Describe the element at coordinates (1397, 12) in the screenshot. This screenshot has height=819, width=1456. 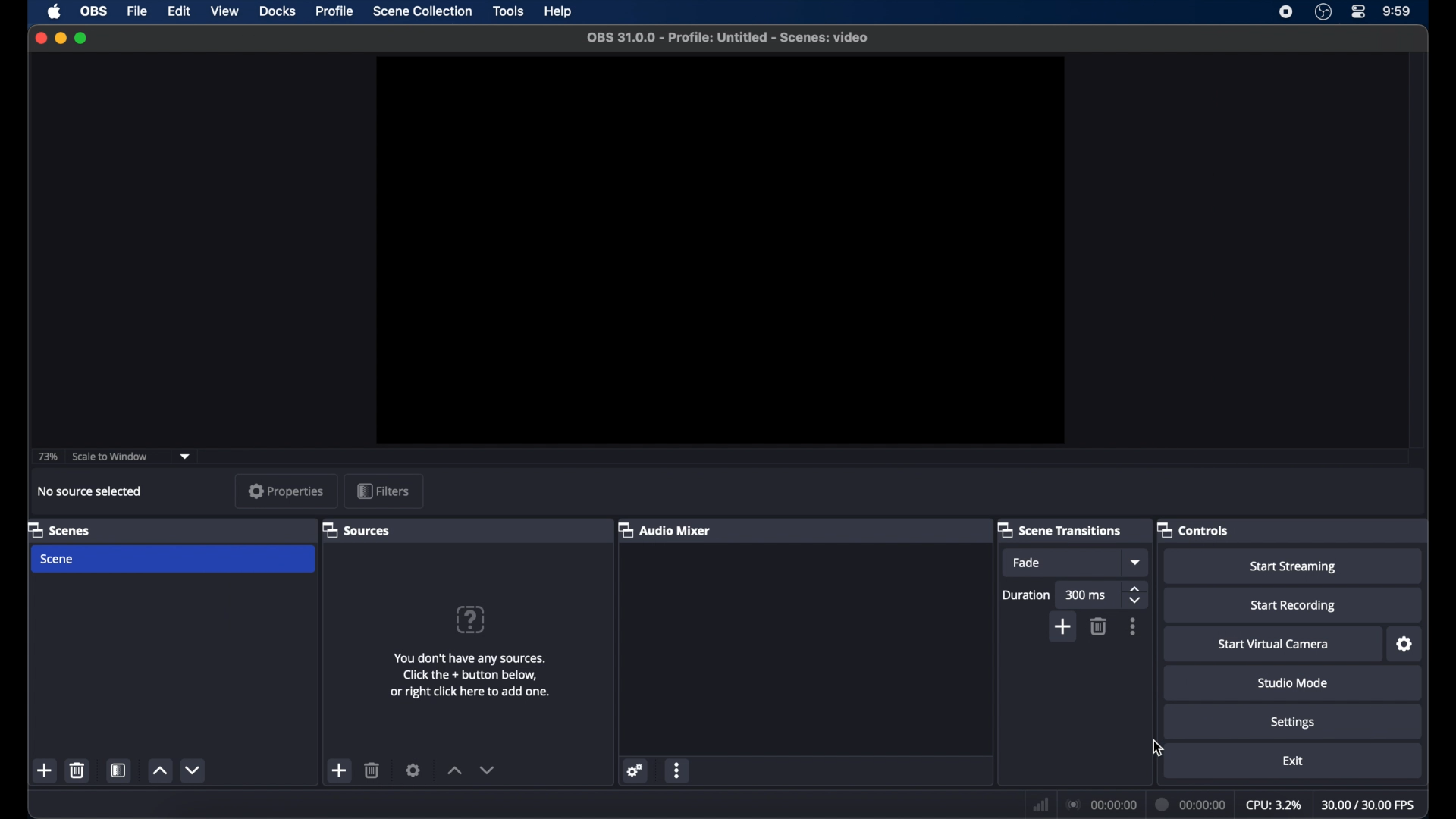
I see `time` at that location.